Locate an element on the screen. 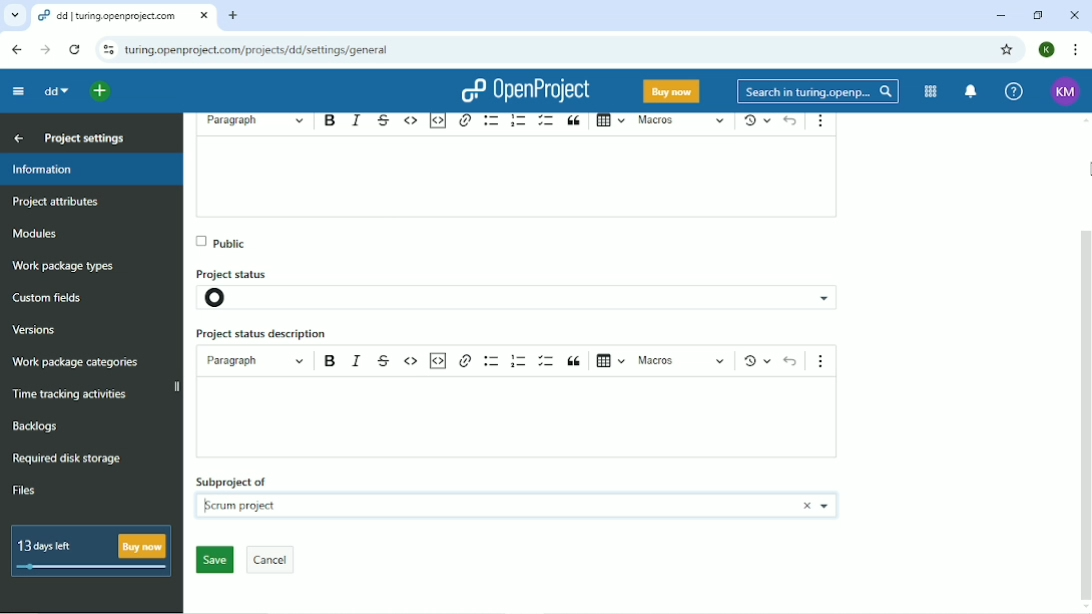  Customize and control google chrome is located at coordinates (1076, 50).